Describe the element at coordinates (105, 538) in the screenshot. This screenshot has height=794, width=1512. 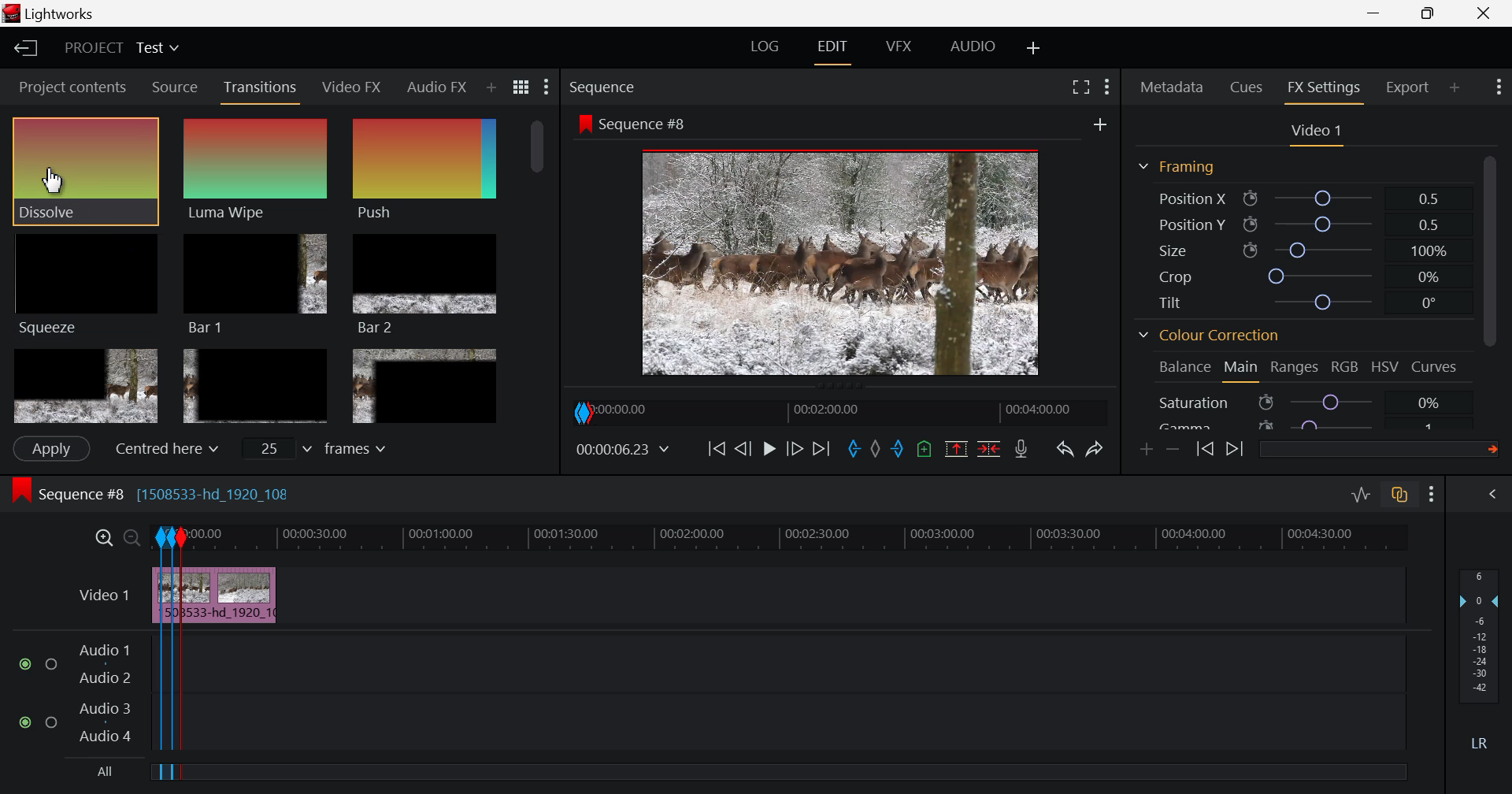
I see `Timeline Zoom In` at that location.